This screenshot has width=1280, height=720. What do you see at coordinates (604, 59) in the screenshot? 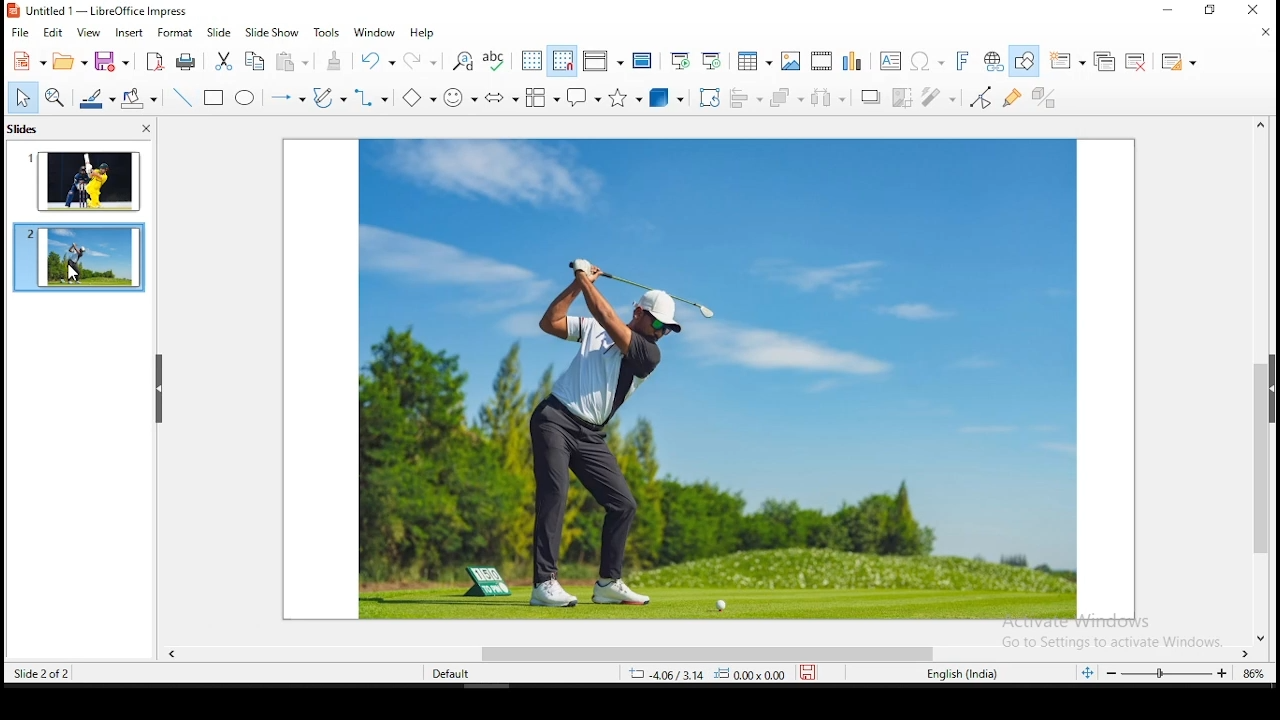
I see `display views` at bounding box center [604, 59].